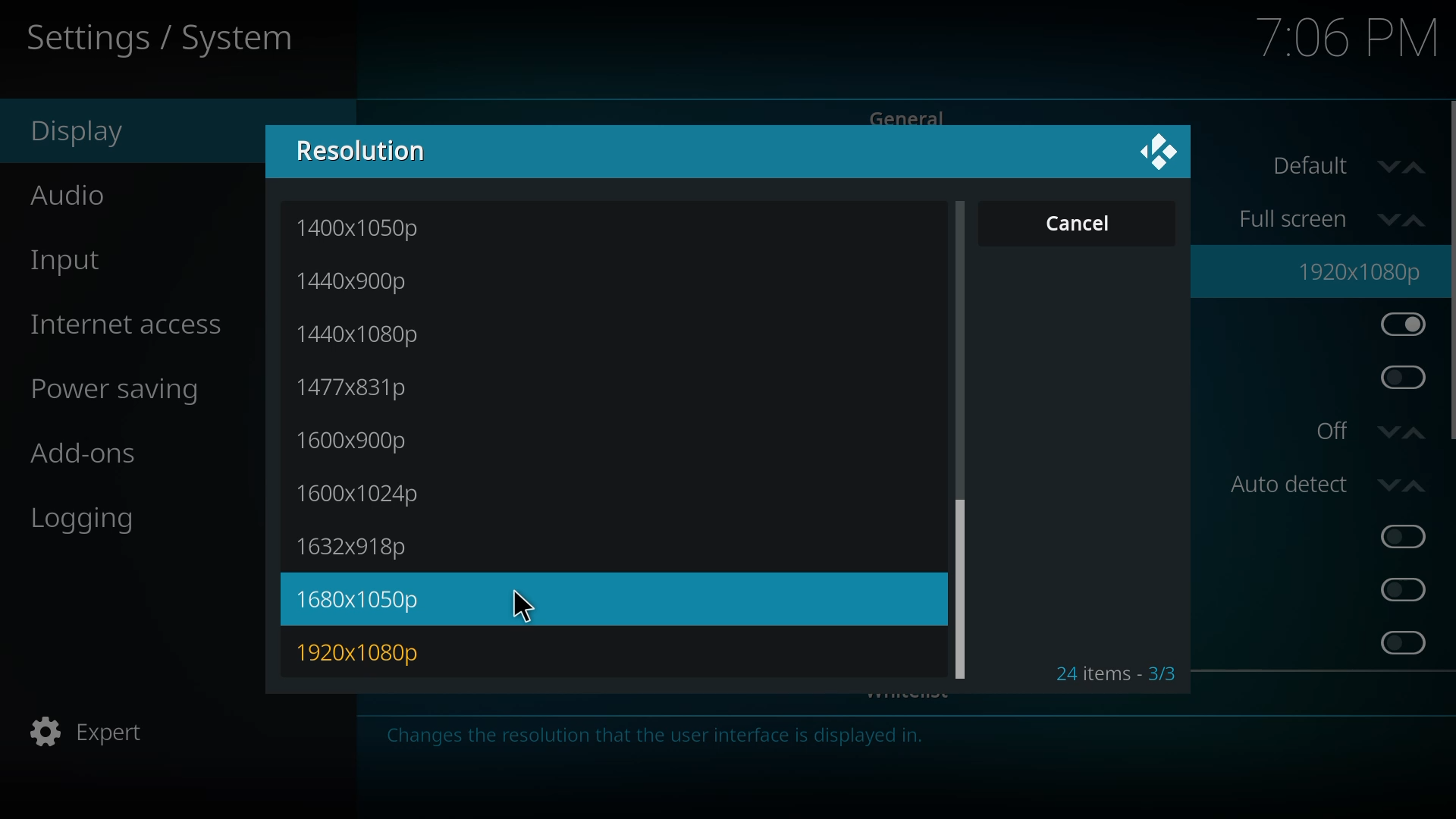 Image resolution: width=1456 pixels, height=819 pixels. I want to click on internet access, so click(130, 325).